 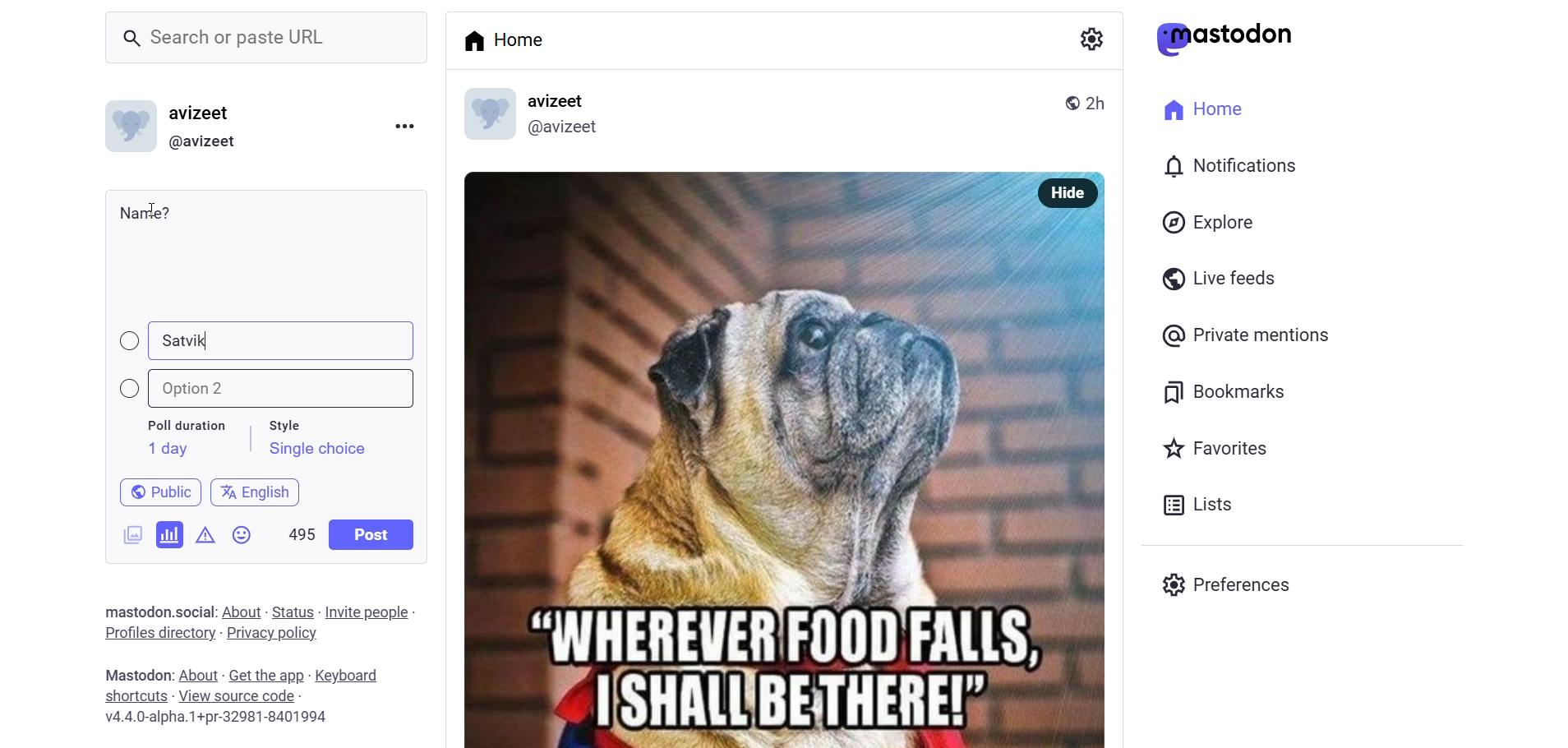 I want to click on option 2, so click(x=275, y=389).